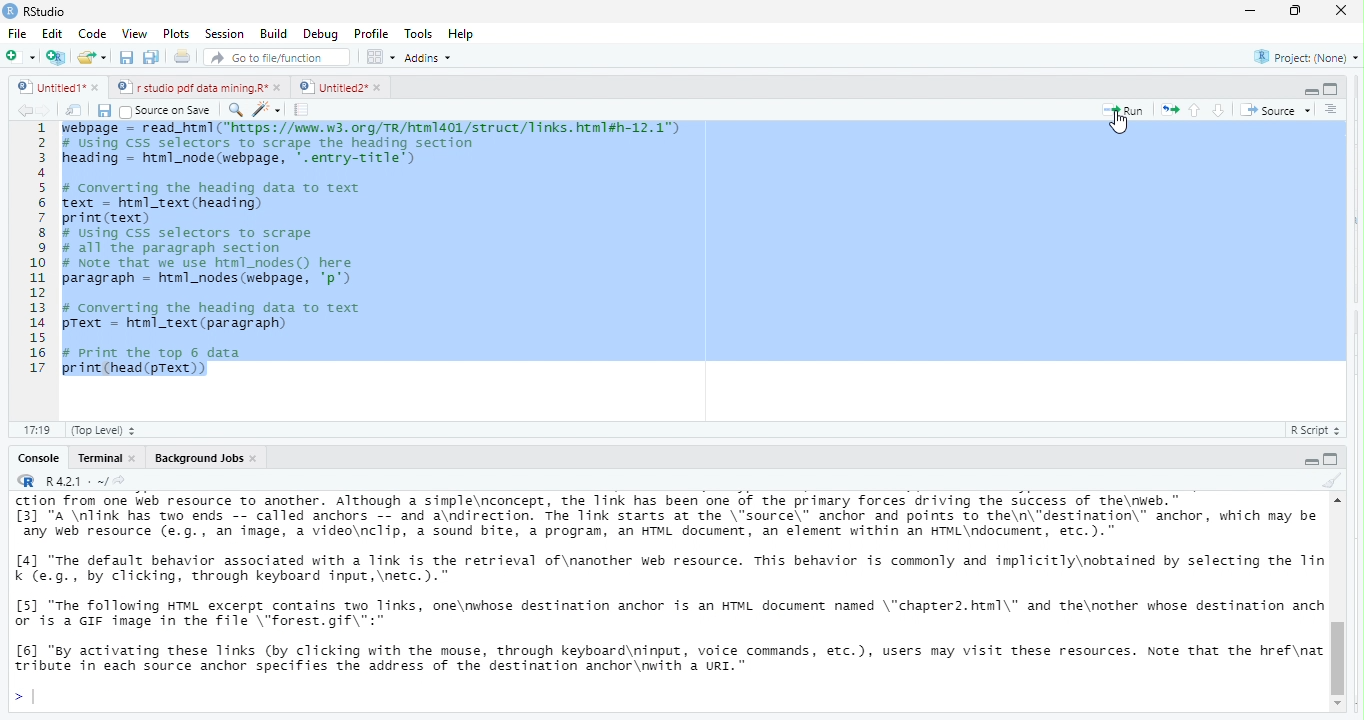 The width and height of the screenshot is (1364, 720). Describe the element at coordinates (1335, 10) in the screenshot. I see `close` at that location.